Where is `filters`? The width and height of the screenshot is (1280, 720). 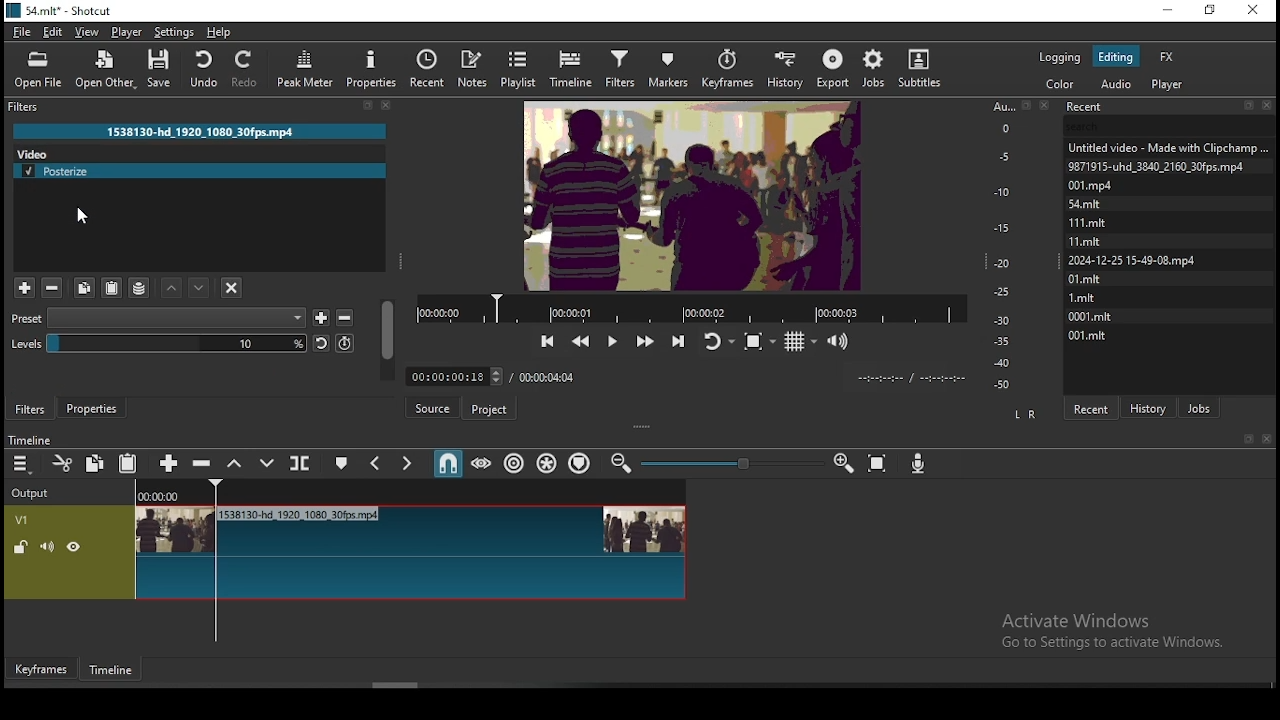
filters is located at coordinates (623, 68).